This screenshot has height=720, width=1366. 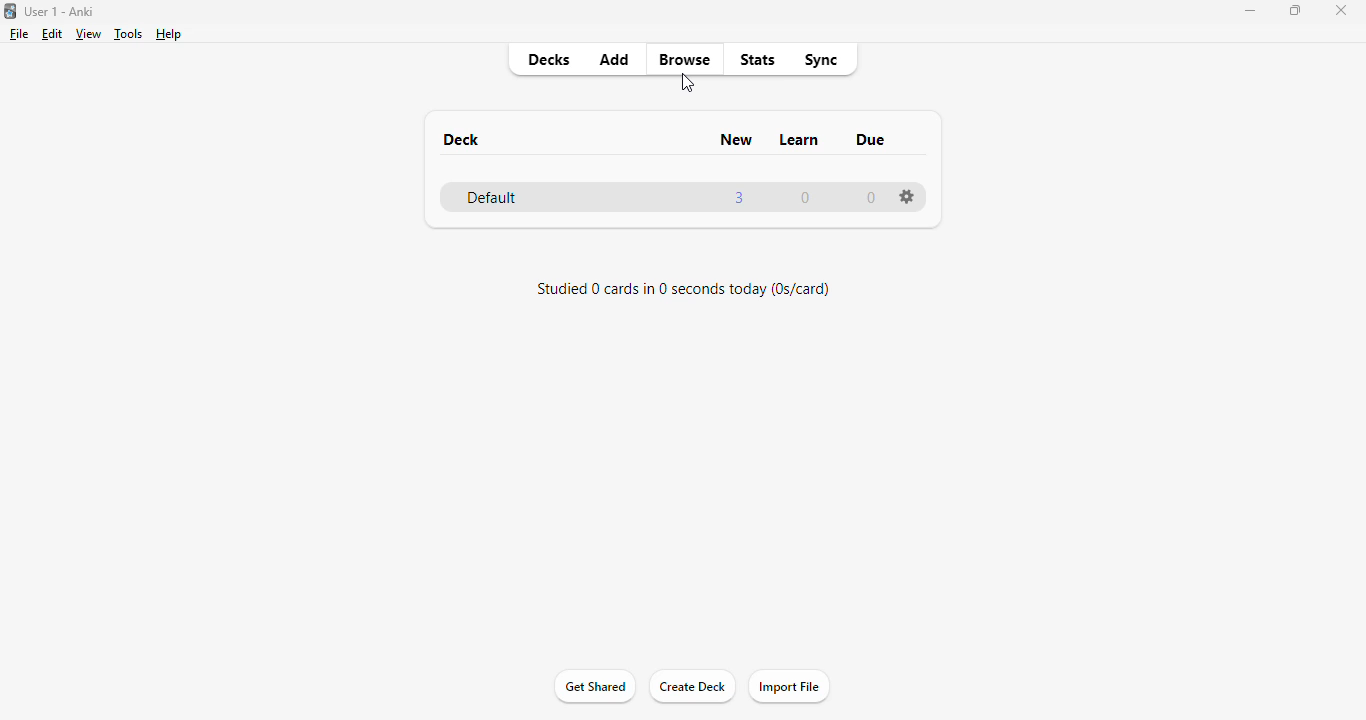 I want to click on studied 0 cards in 0 seconds today (0s/card), so click(x=682, y=291).